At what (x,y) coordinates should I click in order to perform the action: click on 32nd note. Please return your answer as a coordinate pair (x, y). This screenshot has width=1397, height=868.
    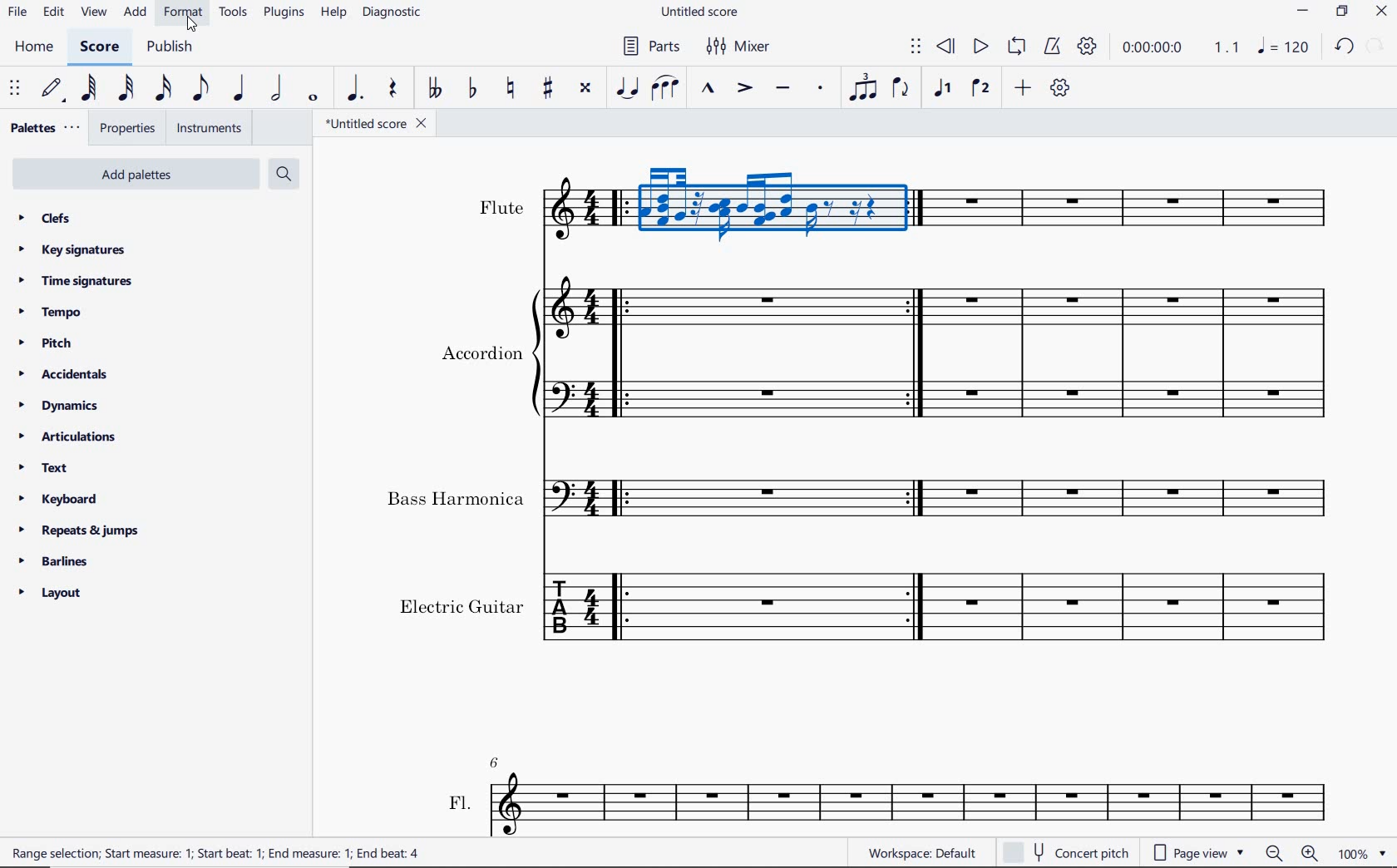
    Looking at the image, I should click on (126, 91).